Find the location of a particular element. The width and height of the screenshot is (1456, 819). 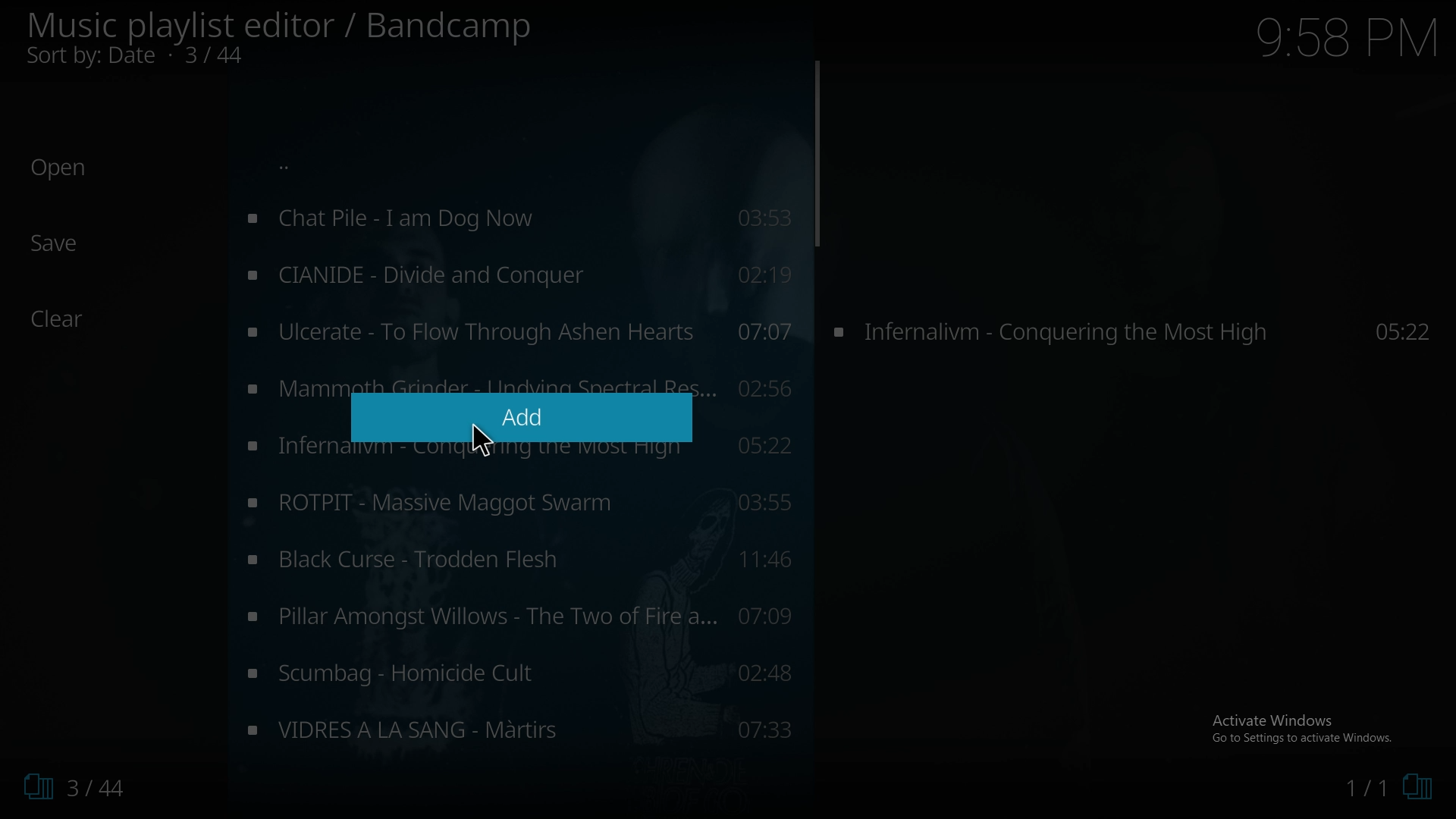

music is located at coordinates (519, 563).